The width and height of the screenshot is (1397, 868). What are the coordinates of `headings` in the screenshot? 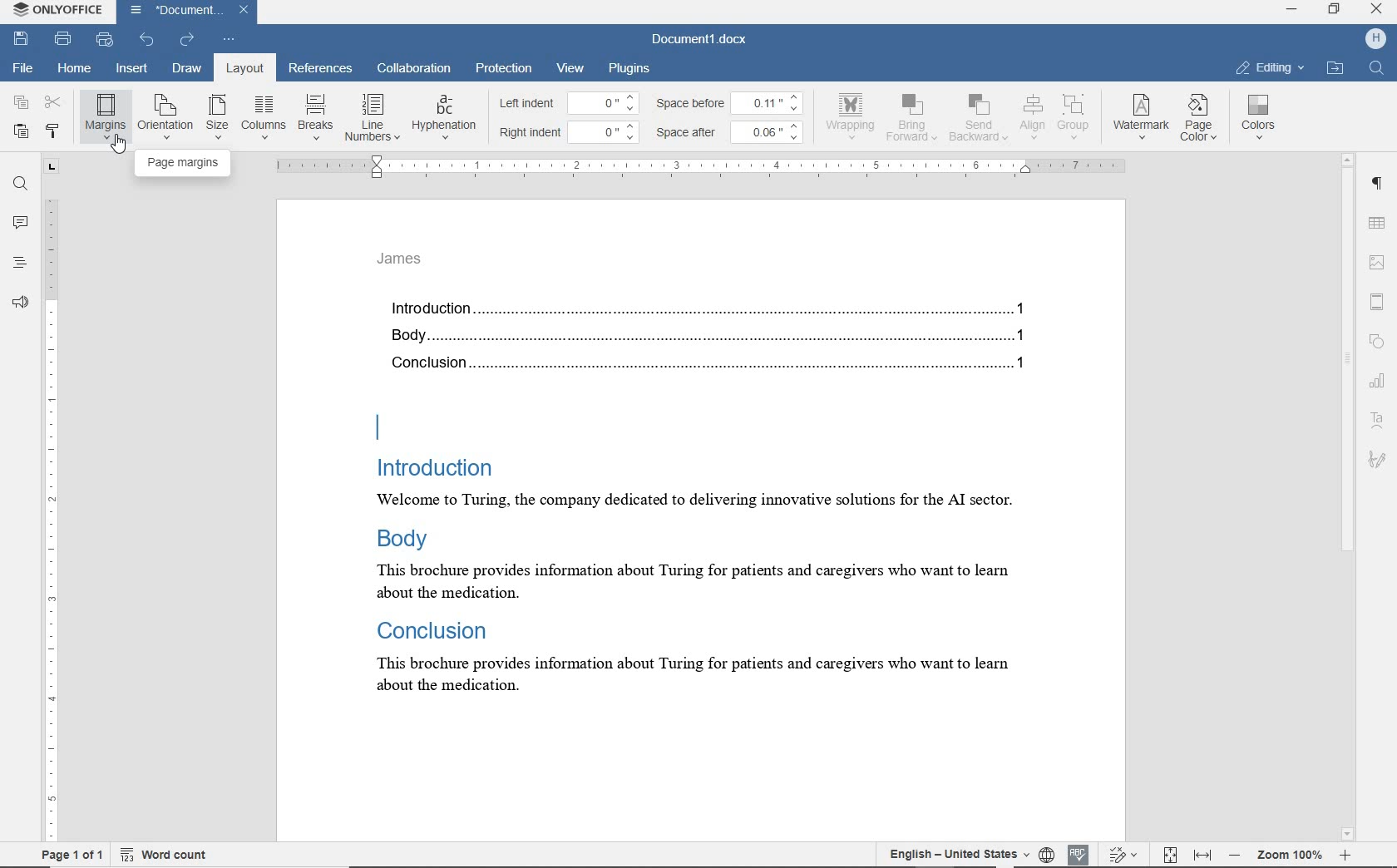 It's located at (16, 264).